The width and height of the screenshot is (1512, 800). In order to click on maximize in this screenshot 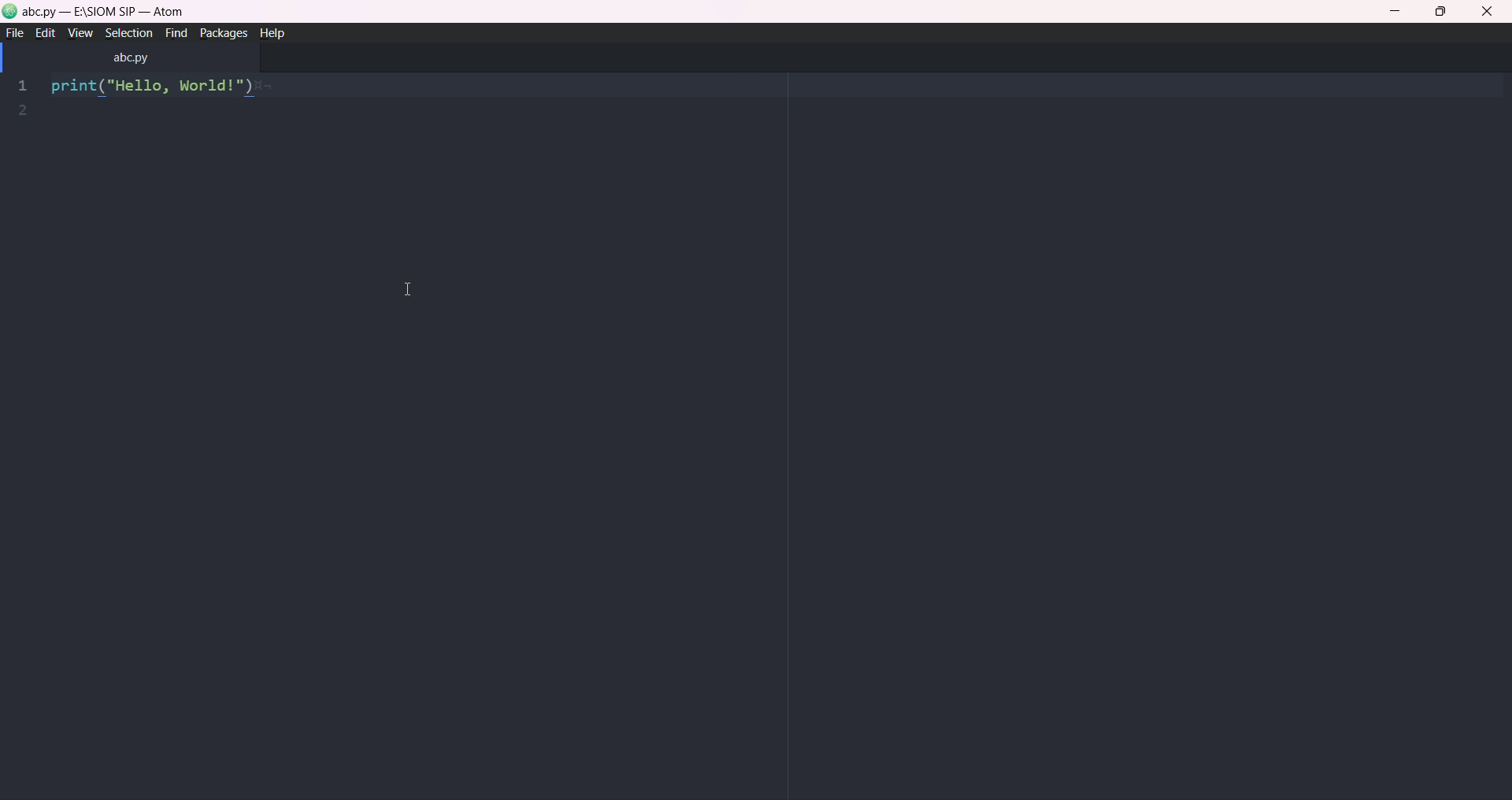, I will do `click(1443, 11)`.